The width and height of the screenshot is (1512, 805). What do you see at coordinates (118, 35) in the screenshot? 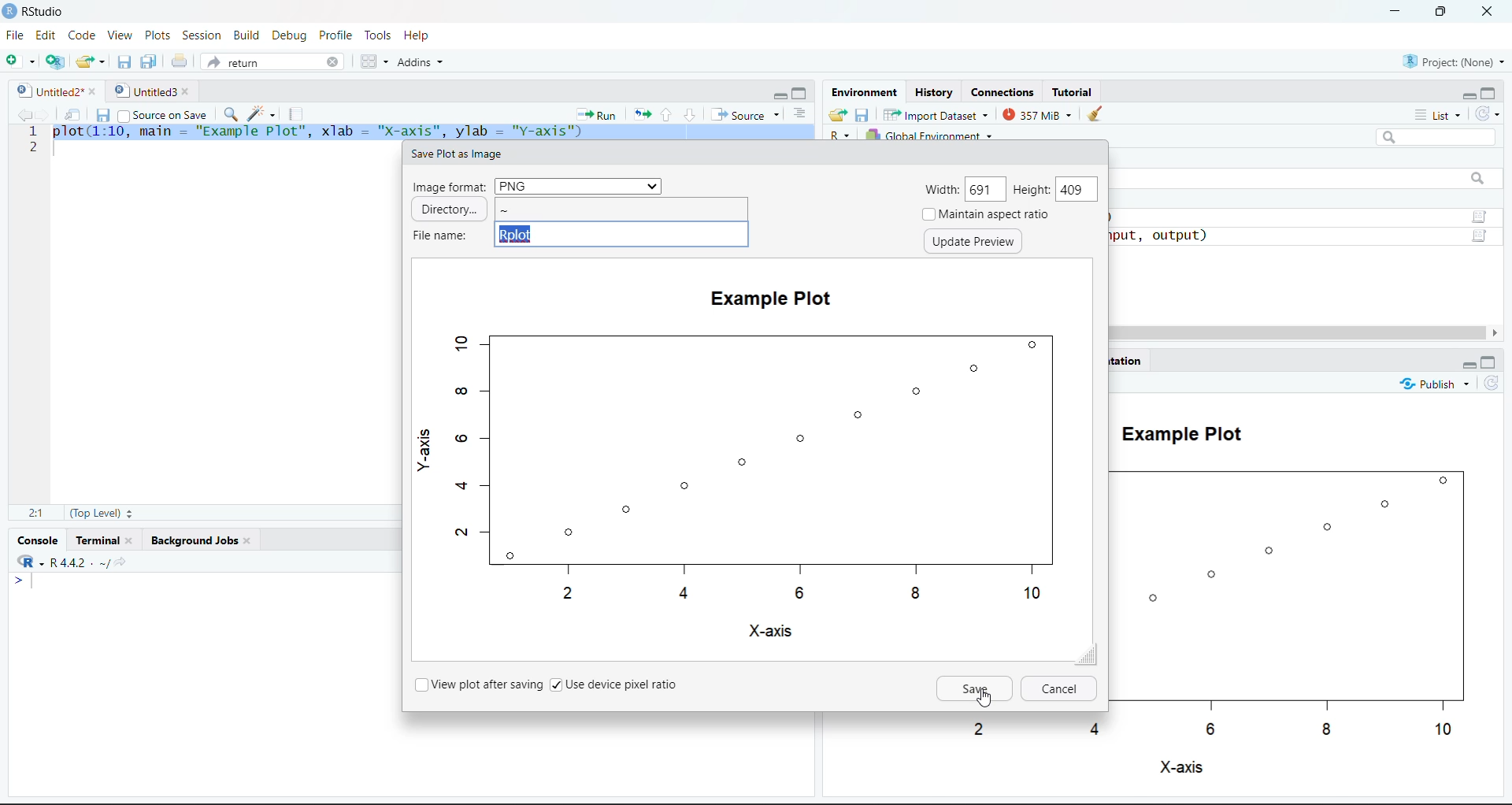
I see `View` at bounding box center [118, 35].